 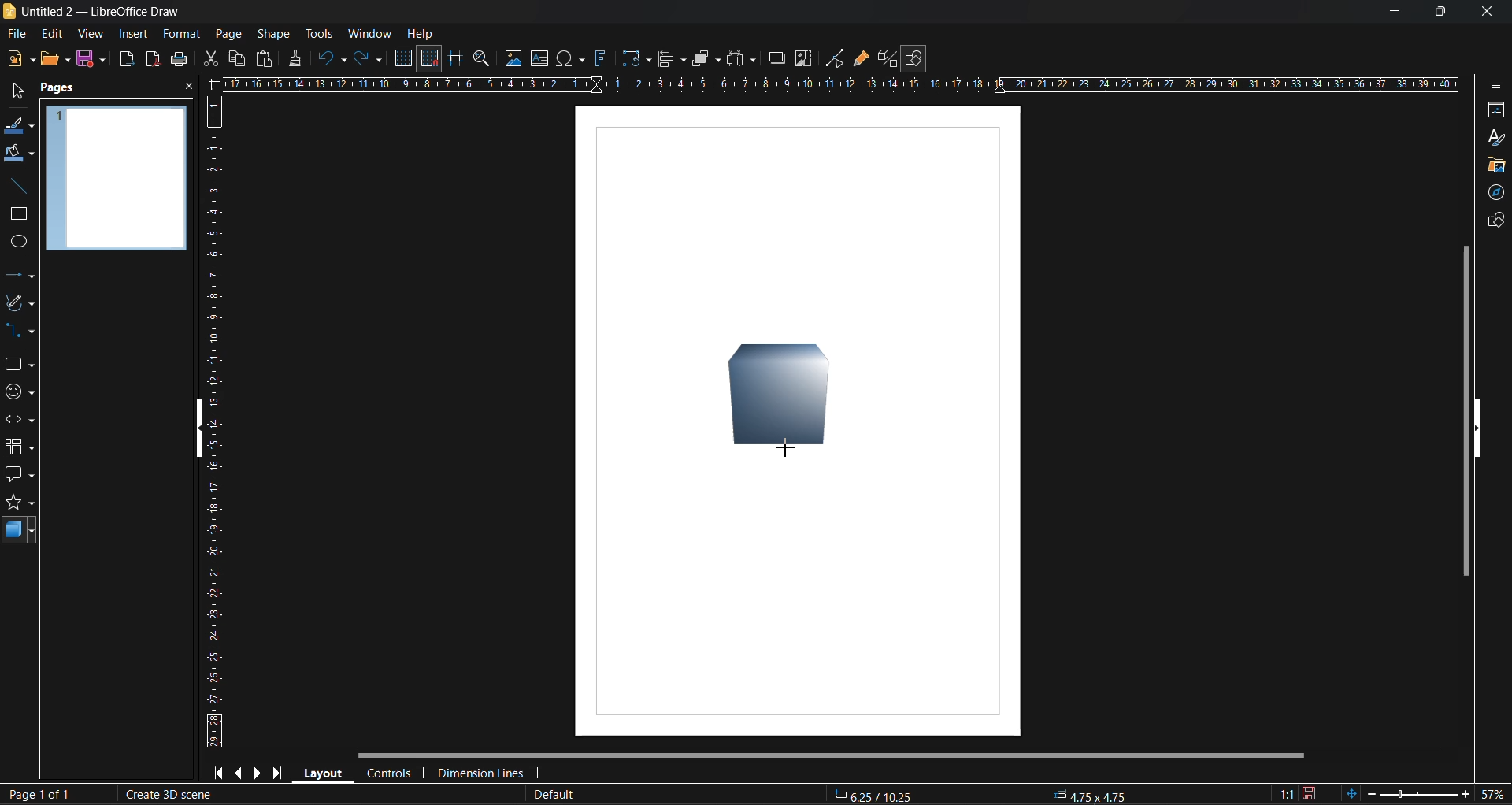 What do you see at coordinates (20, 275) in the screenshot?
I see `lines and arrows` at bounding box center [20, 275].